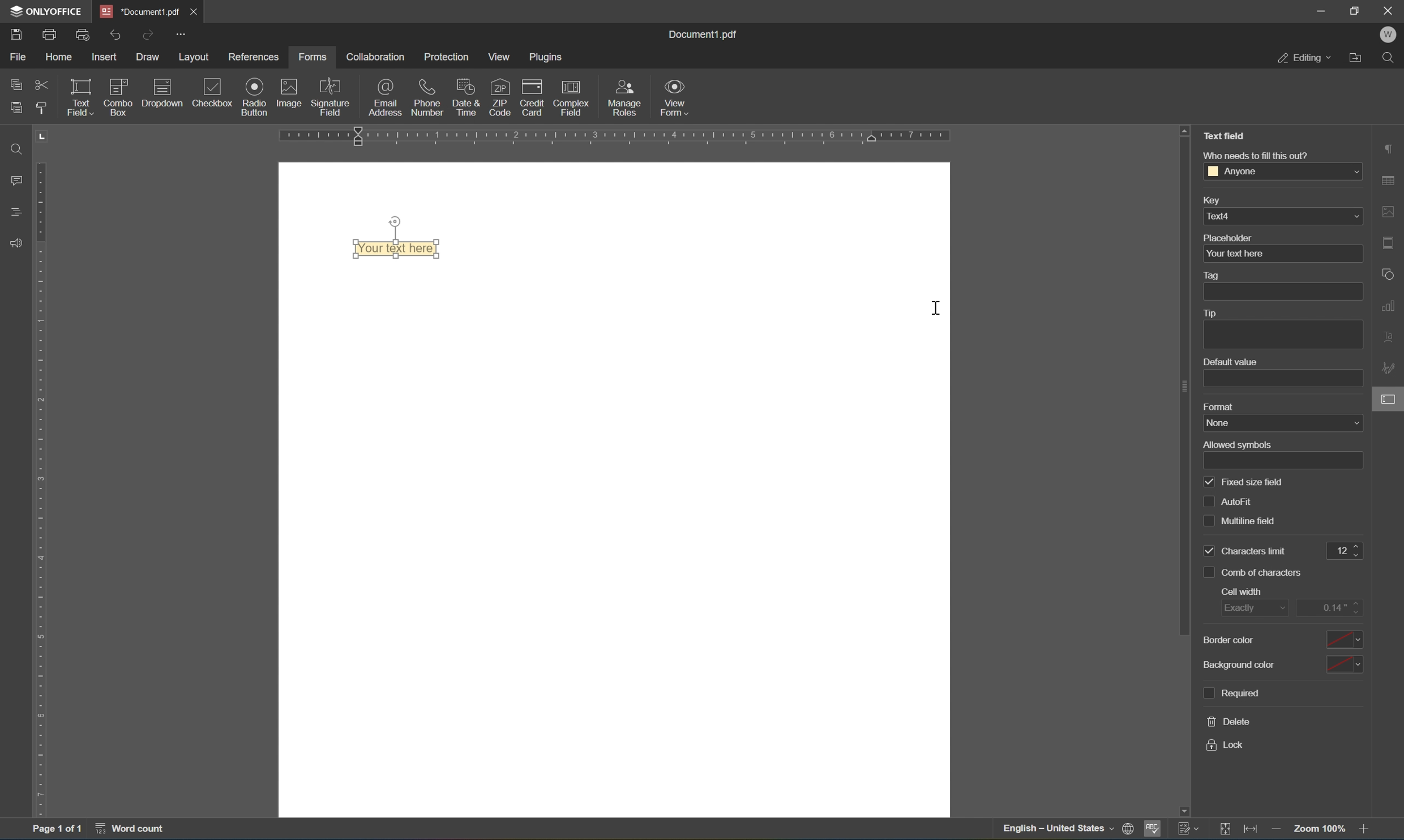 This screenshot has height=840, width=1404. What do you see at coordinates (140, 117) in the screenshot?
I see `insert field text field` at bounding box center [140, 117].